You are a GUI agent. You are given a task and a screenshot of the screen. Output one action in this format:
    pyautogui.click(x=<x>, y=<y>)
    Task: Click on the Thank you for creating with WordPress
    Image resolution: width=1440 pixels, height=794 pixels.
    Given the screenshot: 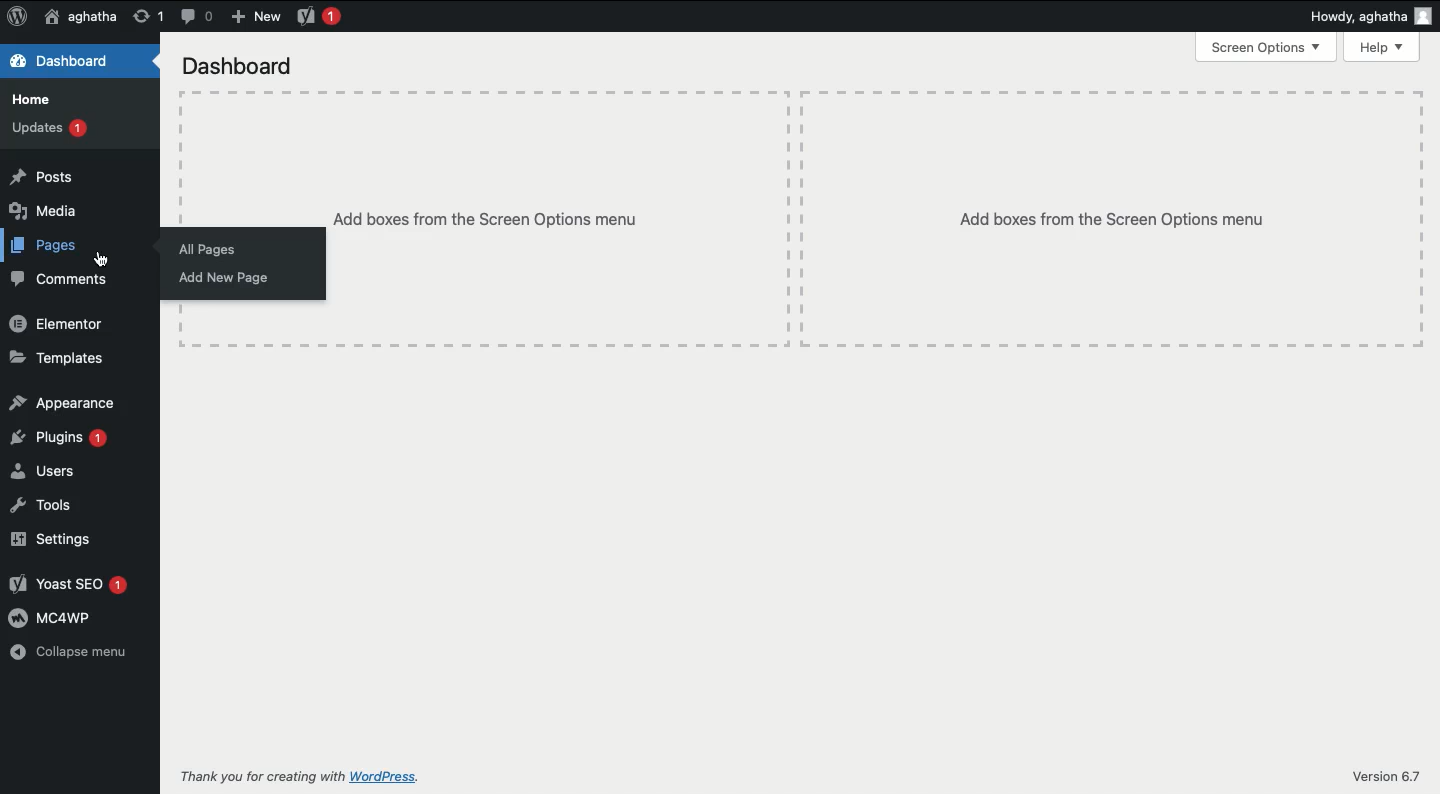 What is the action you would take?
    pyautogui.click(x=299, y=776)
    